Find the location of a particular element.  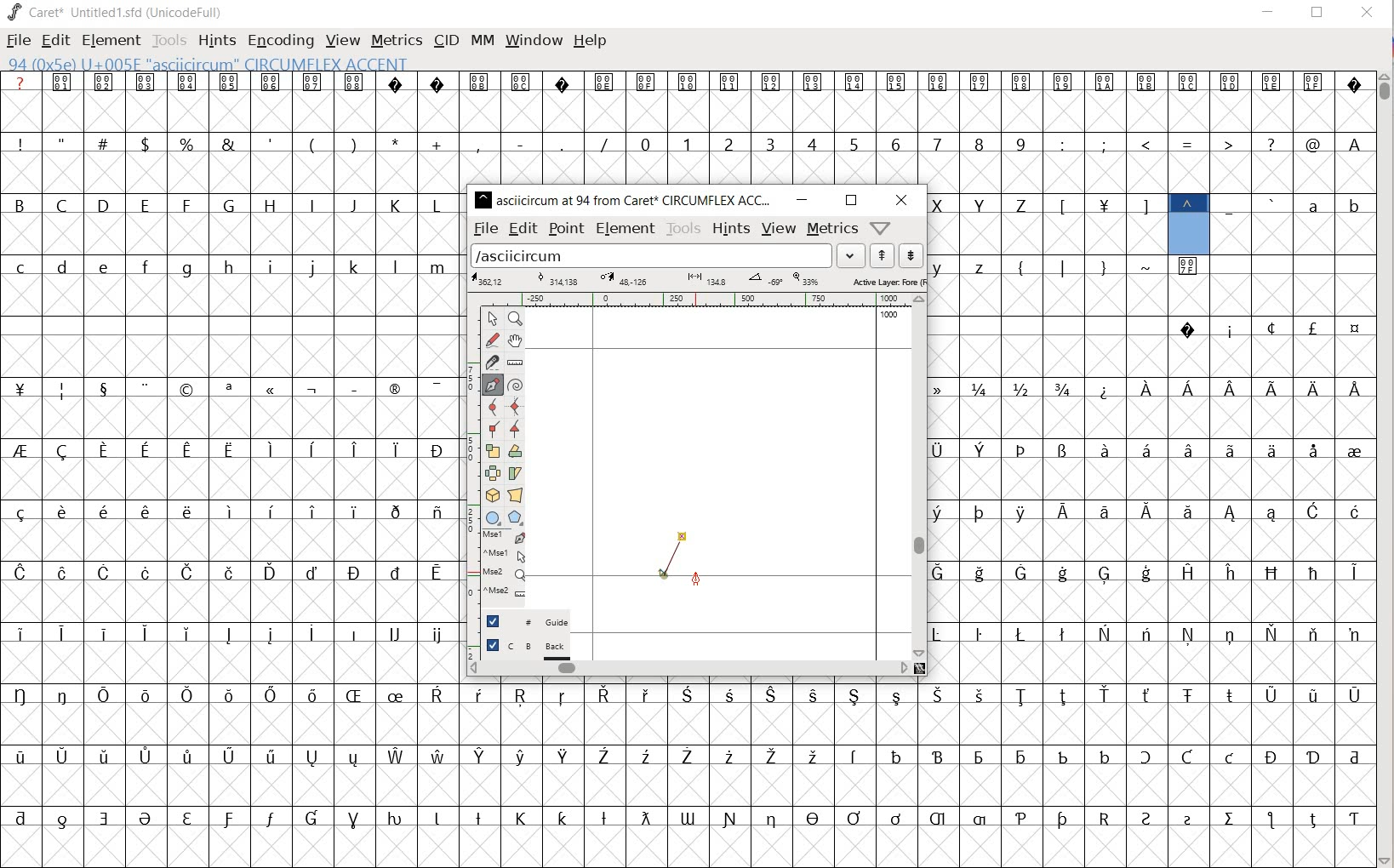

SCROLLBAR is located at coordinates (1385, 467).